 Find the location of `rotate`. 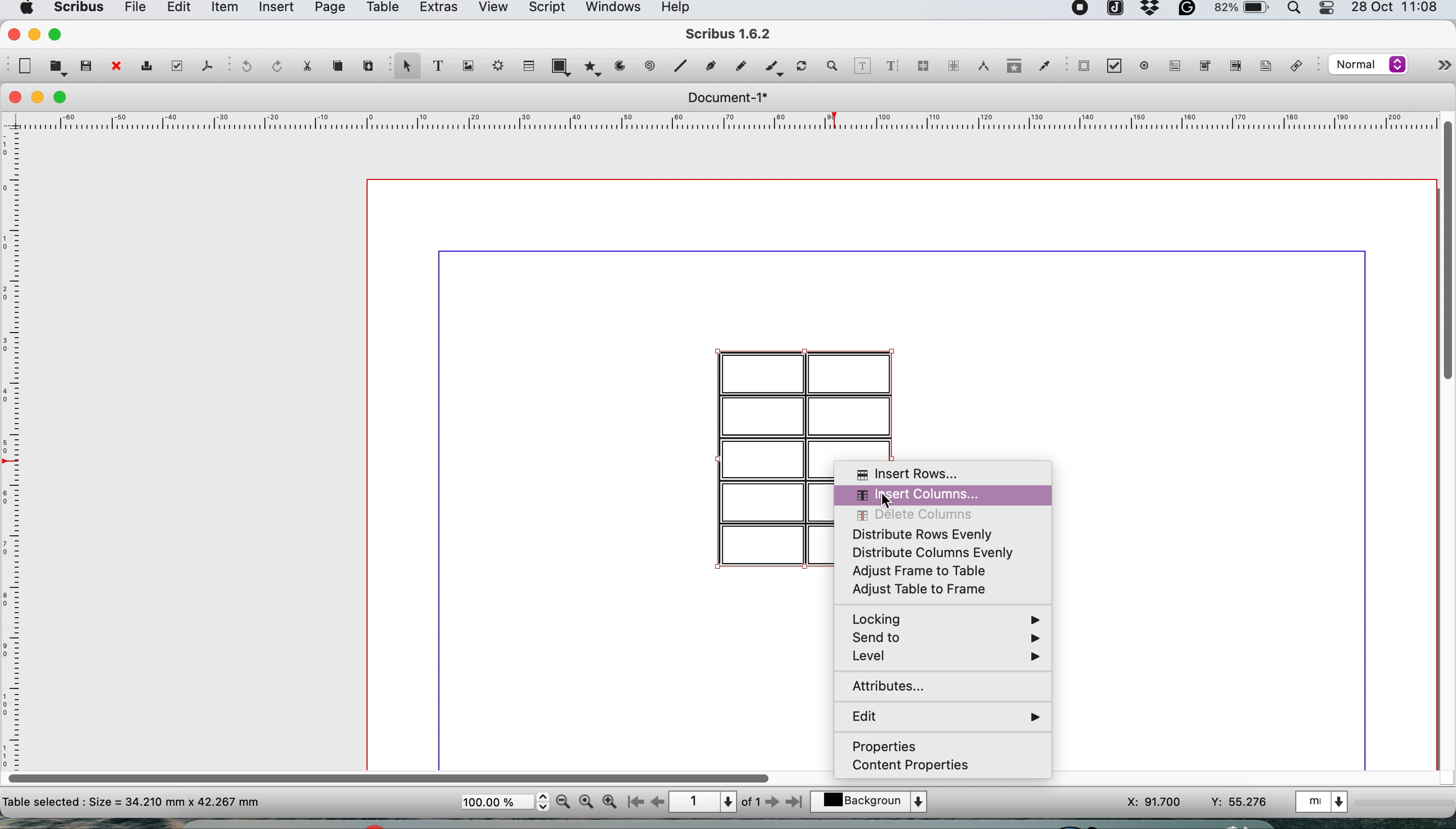

rotate is located at coordinates (803, 67).